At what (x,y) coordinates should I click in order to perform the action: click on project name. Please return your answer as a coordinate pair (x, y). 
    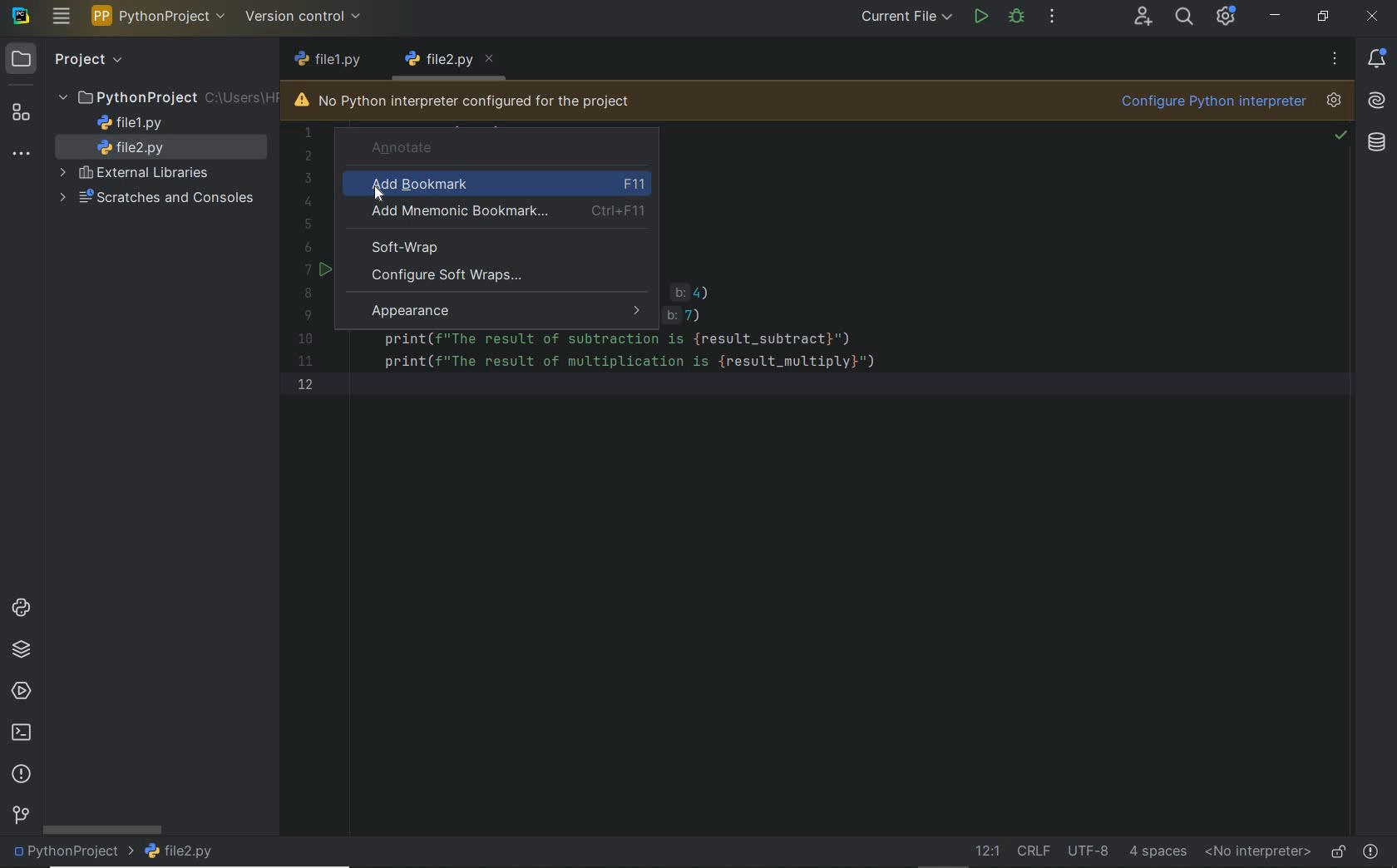
    Looking at the image, I should click on (160, 16).